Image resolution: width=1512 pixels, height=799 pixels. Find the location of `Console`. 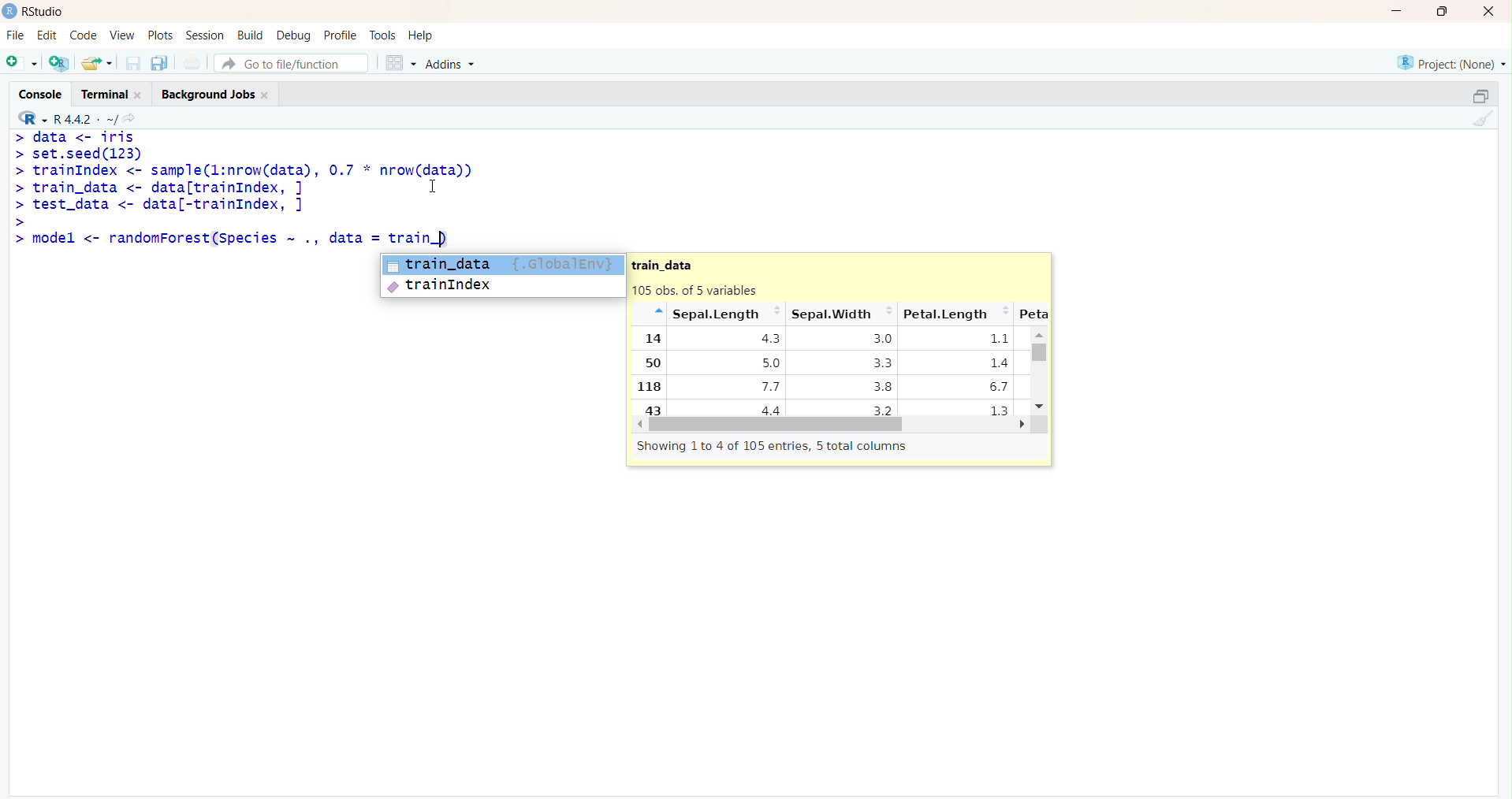

Console is located at coordinates (43, 91).